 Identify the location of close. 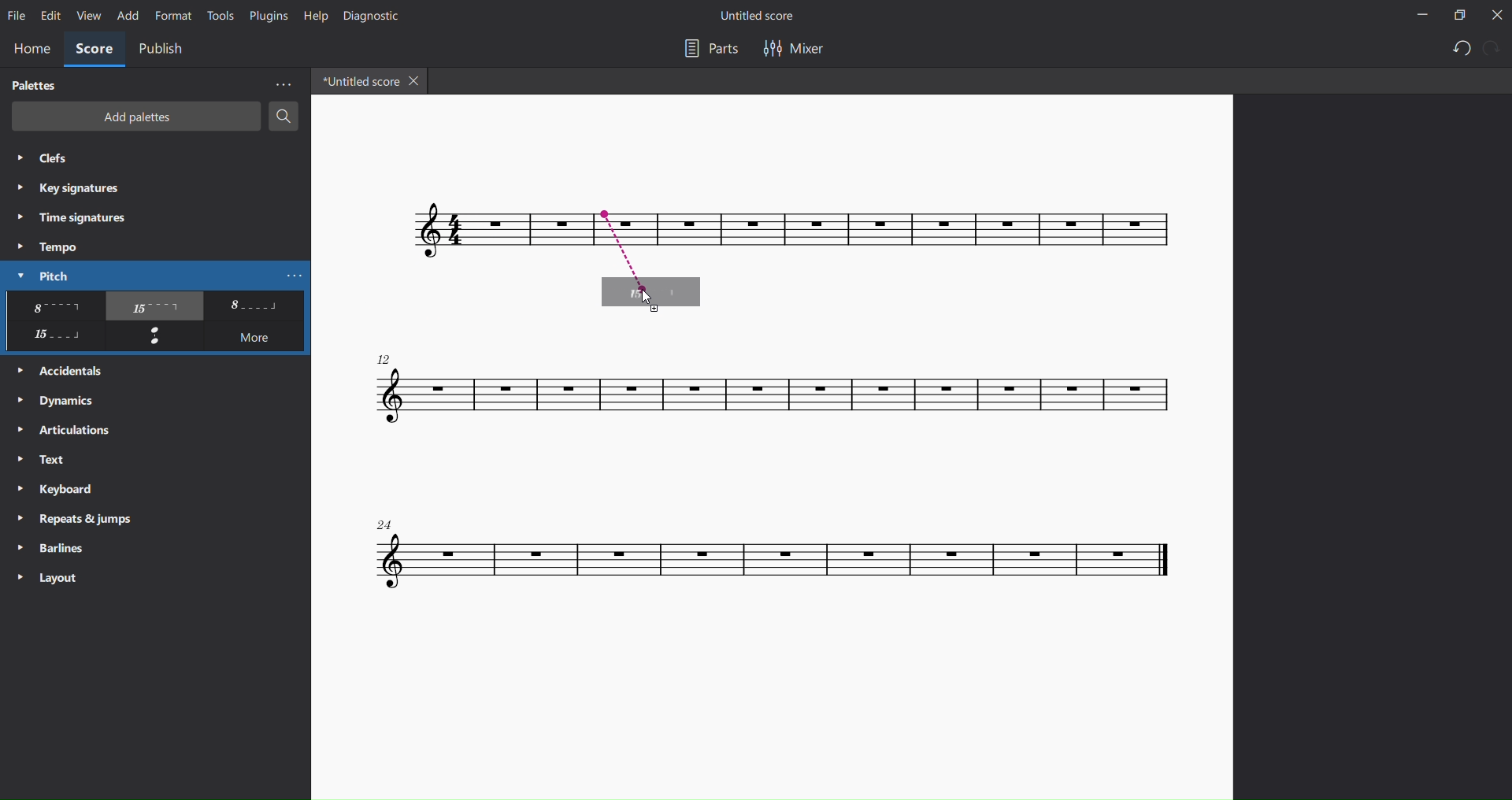
(1495, 14).